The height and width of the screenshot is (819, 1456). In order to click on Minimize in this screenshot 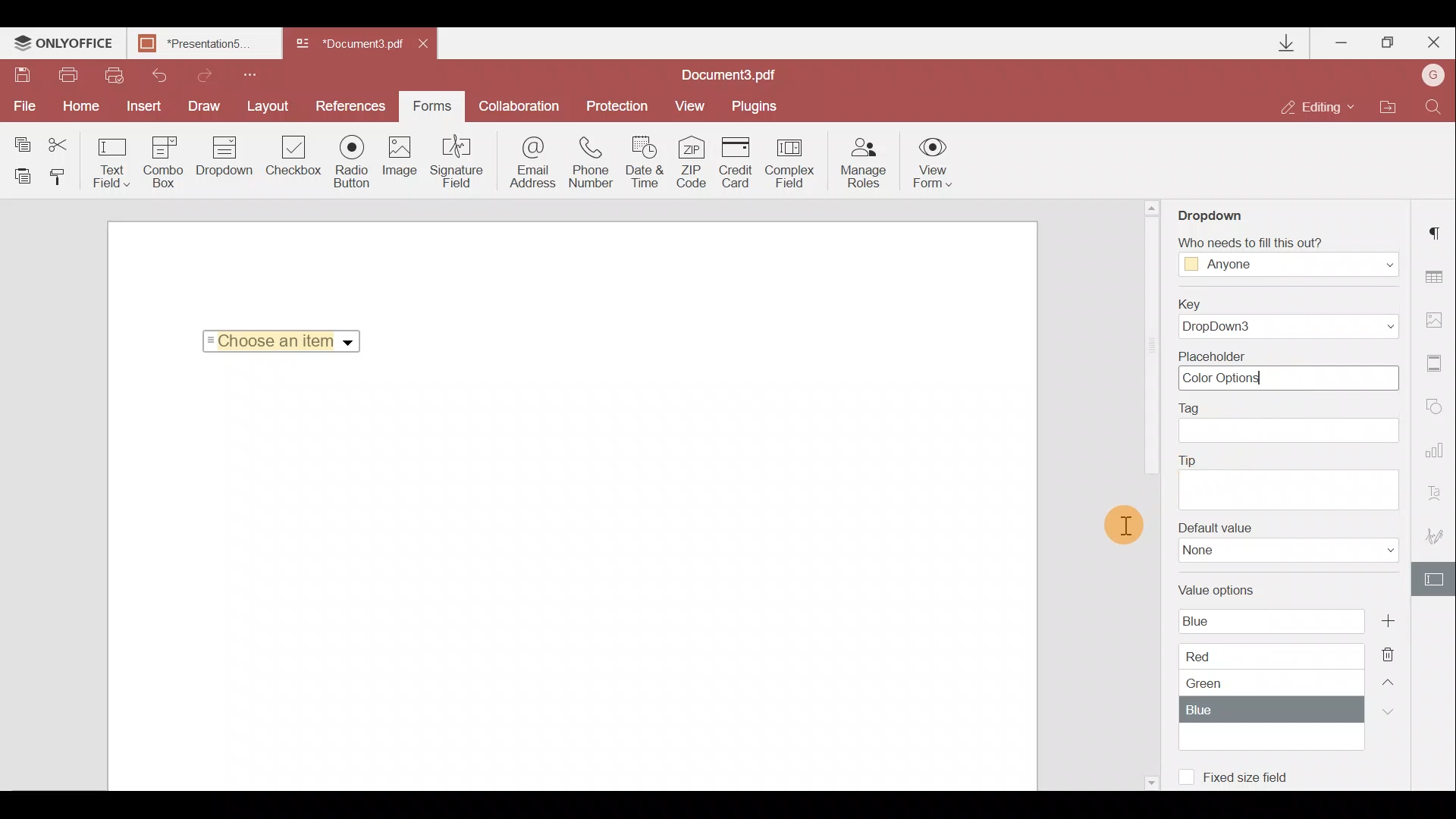, I will do `click(1339, 42)`.